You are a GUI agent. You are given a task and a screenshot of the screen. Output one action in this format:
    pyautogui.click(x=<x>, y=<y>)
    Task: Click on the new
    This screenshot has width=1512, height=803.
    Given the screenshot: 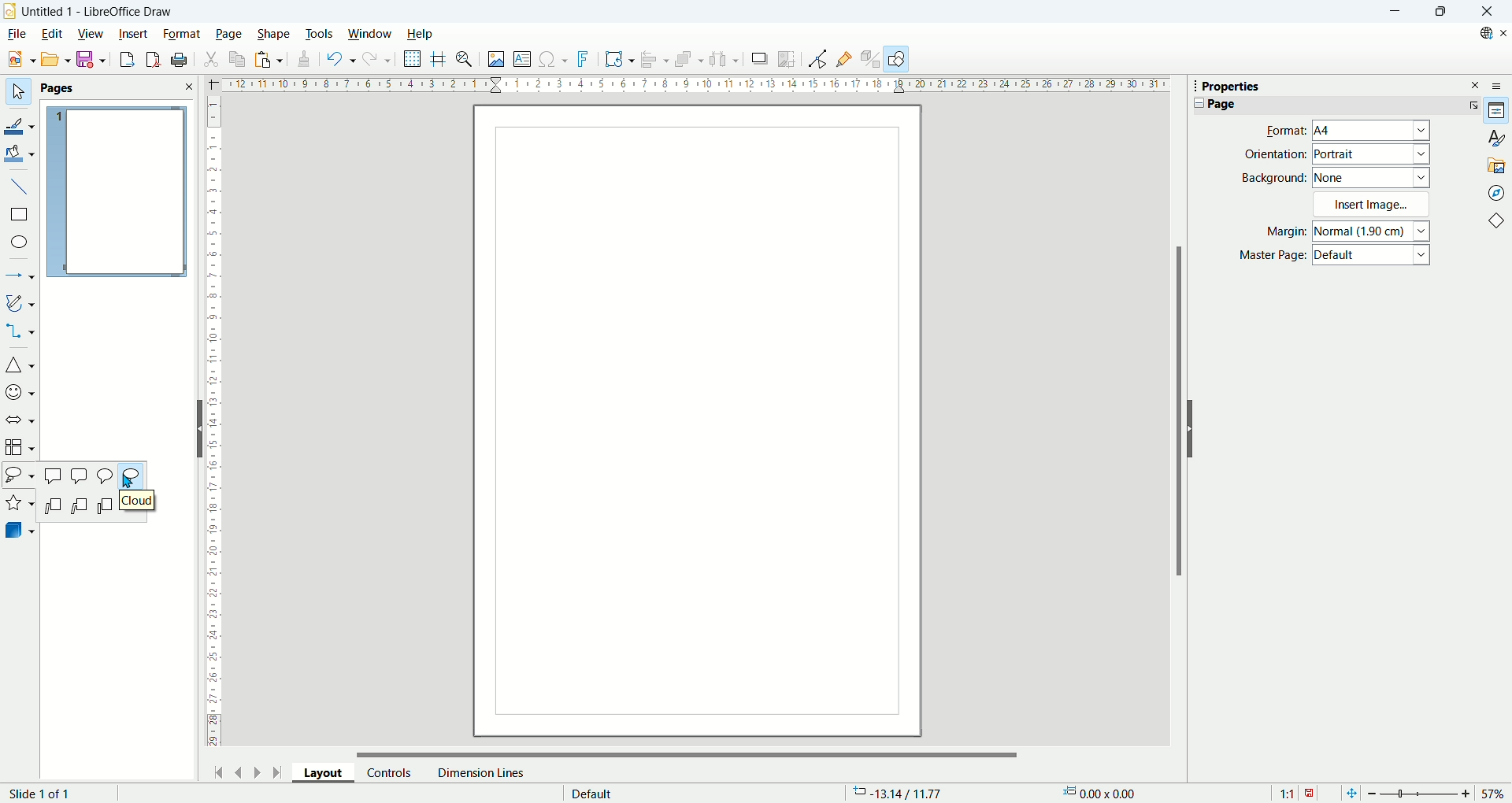 What is the action you would take?
    pyautogui.click(x=18, y=60)
    